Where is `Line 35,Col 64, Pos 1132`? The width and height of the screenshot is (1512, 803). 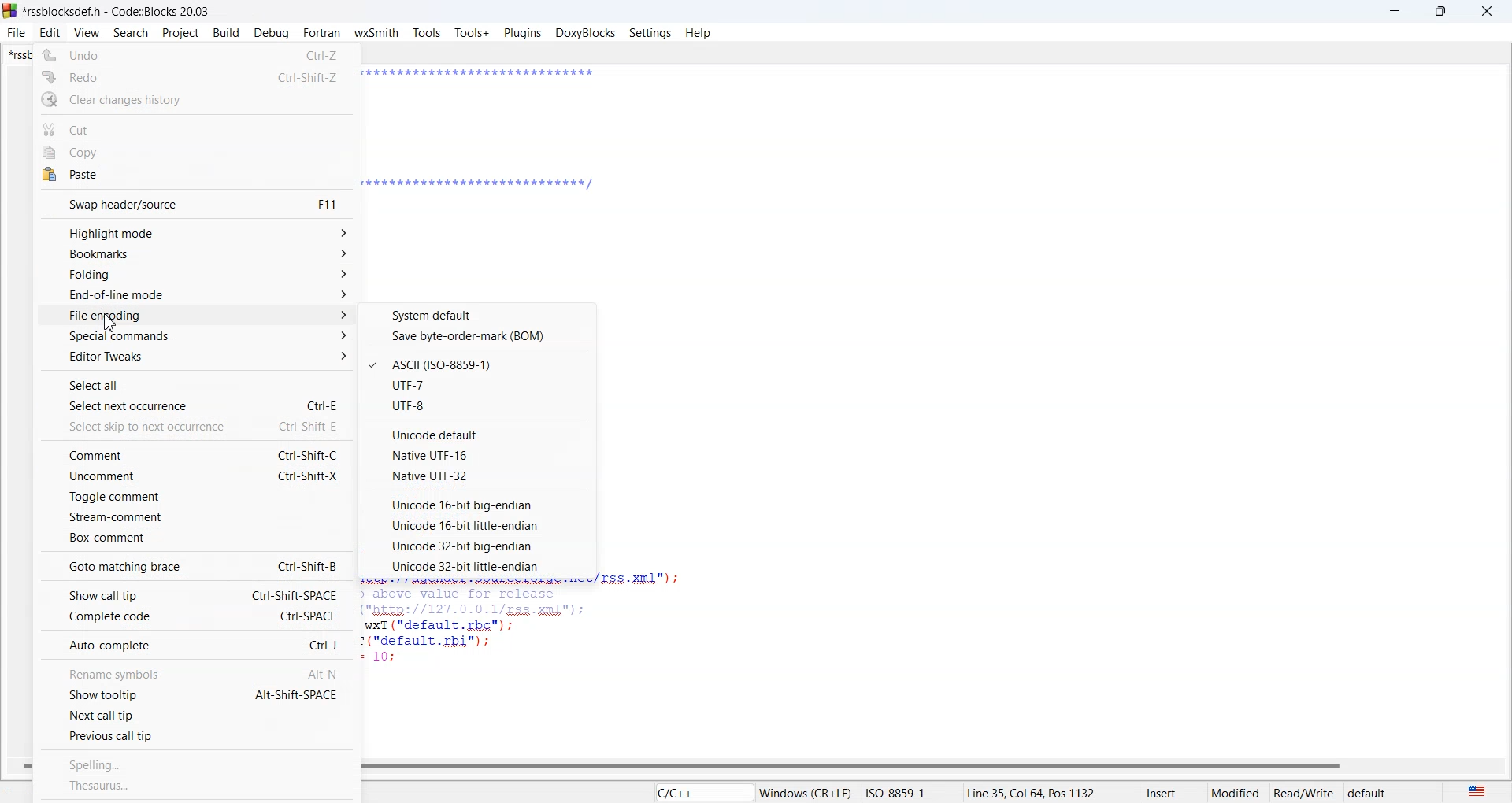
Line 35,Col 64, Pos 1132 is located at coordinates (1054, 791).